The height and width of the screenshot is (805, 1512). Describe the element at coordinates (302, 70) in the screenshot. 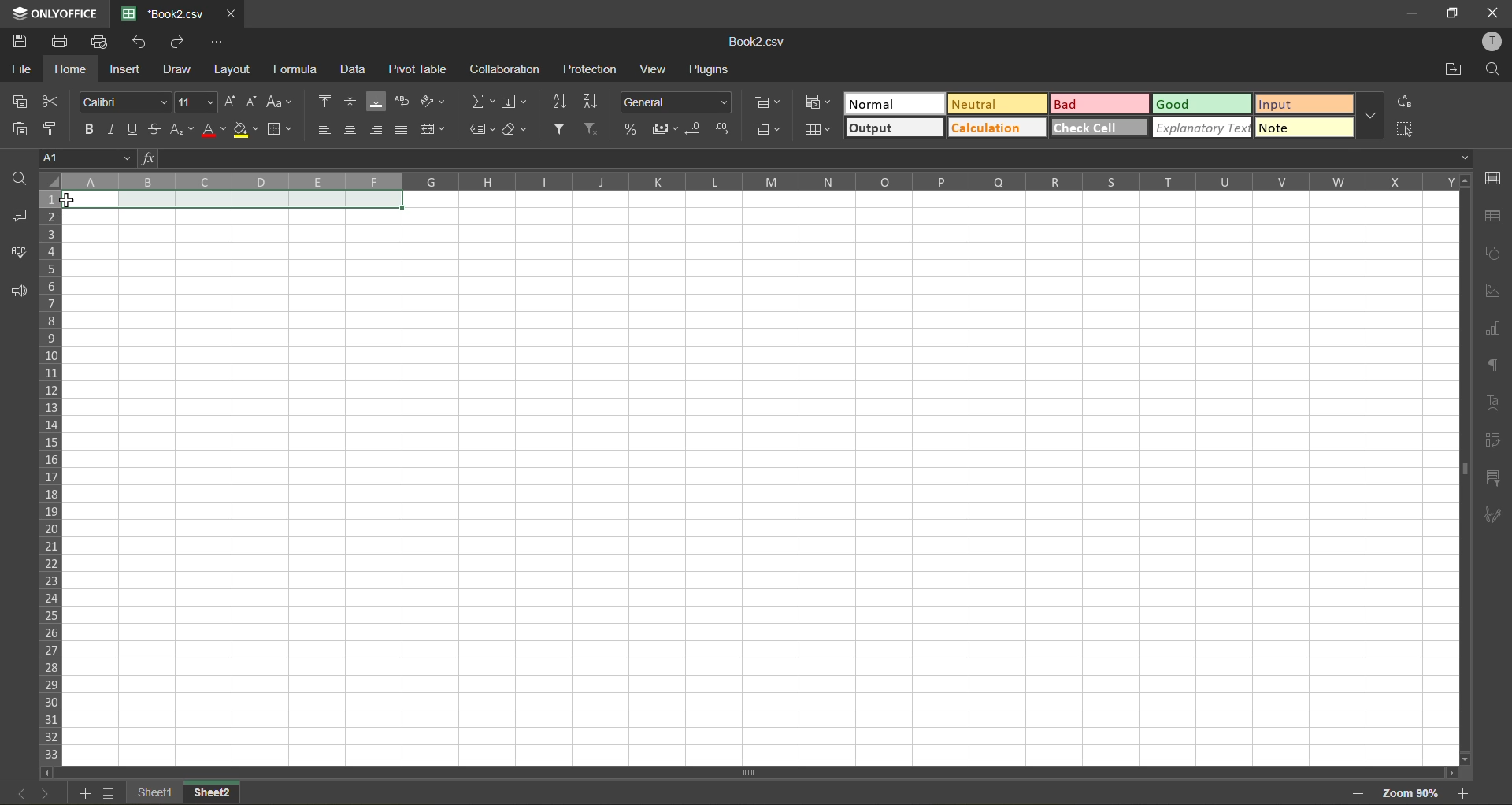

I see `formula` at that location.